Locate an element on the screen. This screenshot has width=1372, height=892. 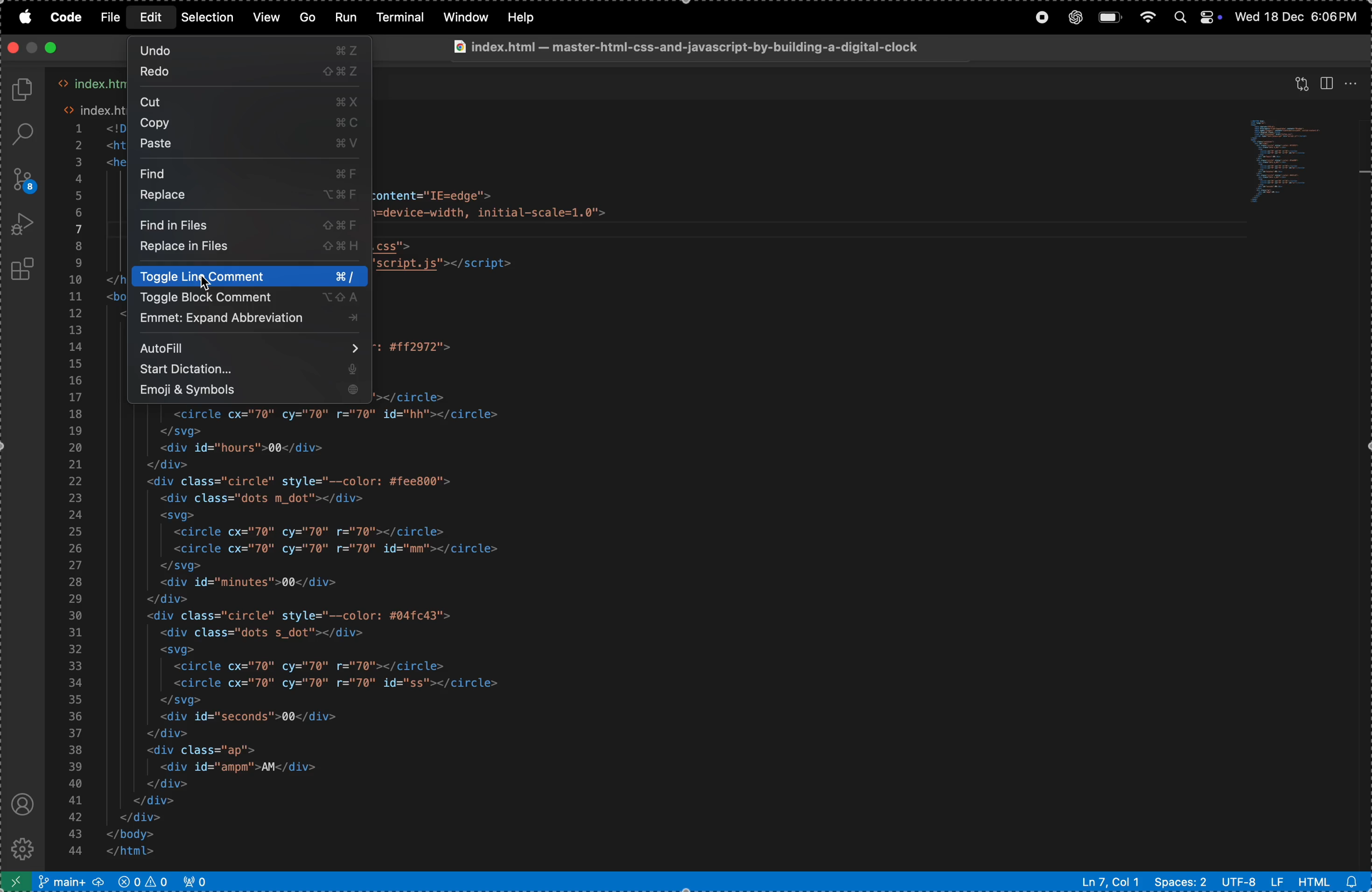
redo is located at coordinates (250, 73).